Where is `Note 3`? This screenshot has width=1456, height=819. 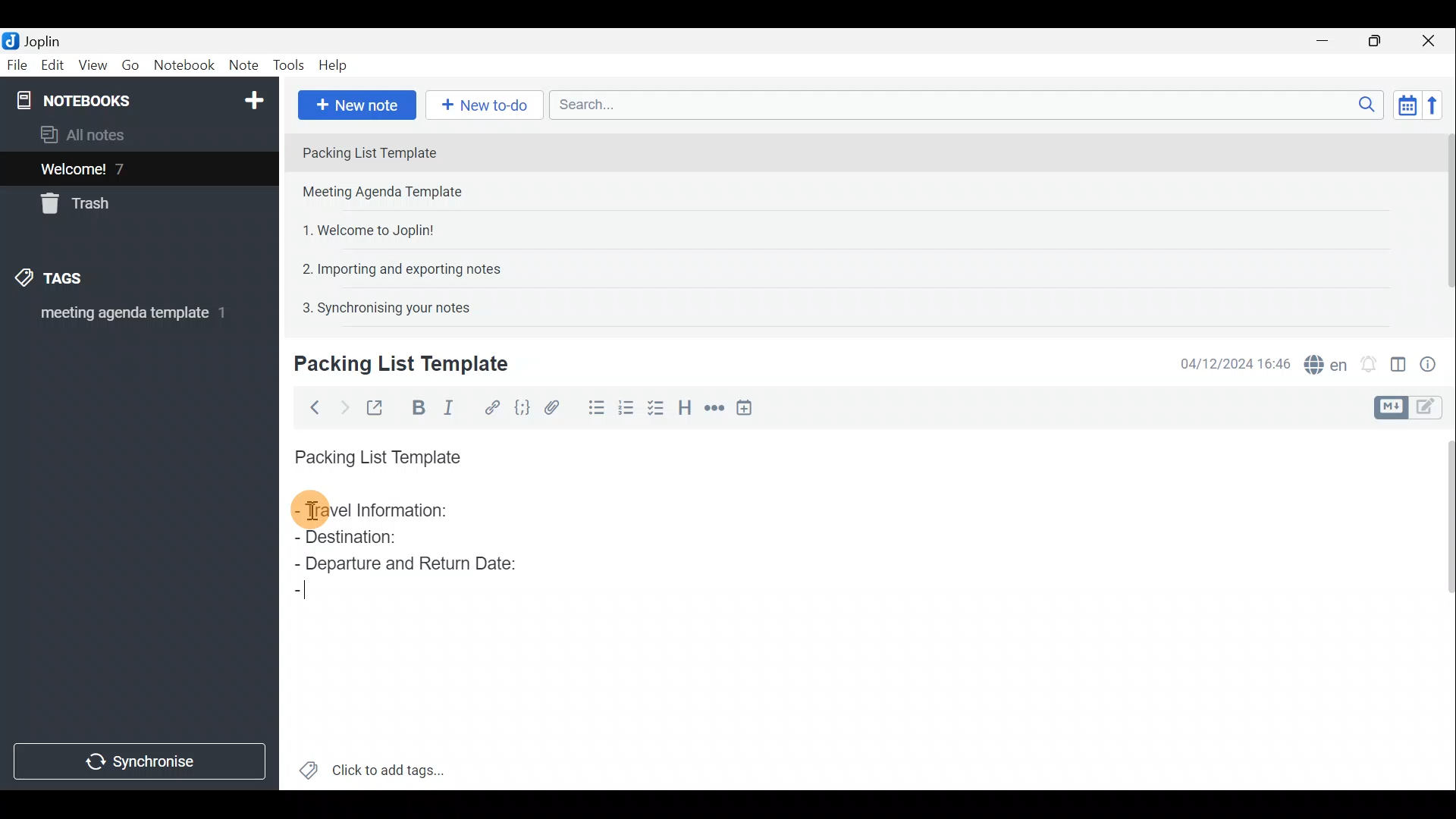
Note 3 is located at coordinates (362, 228).